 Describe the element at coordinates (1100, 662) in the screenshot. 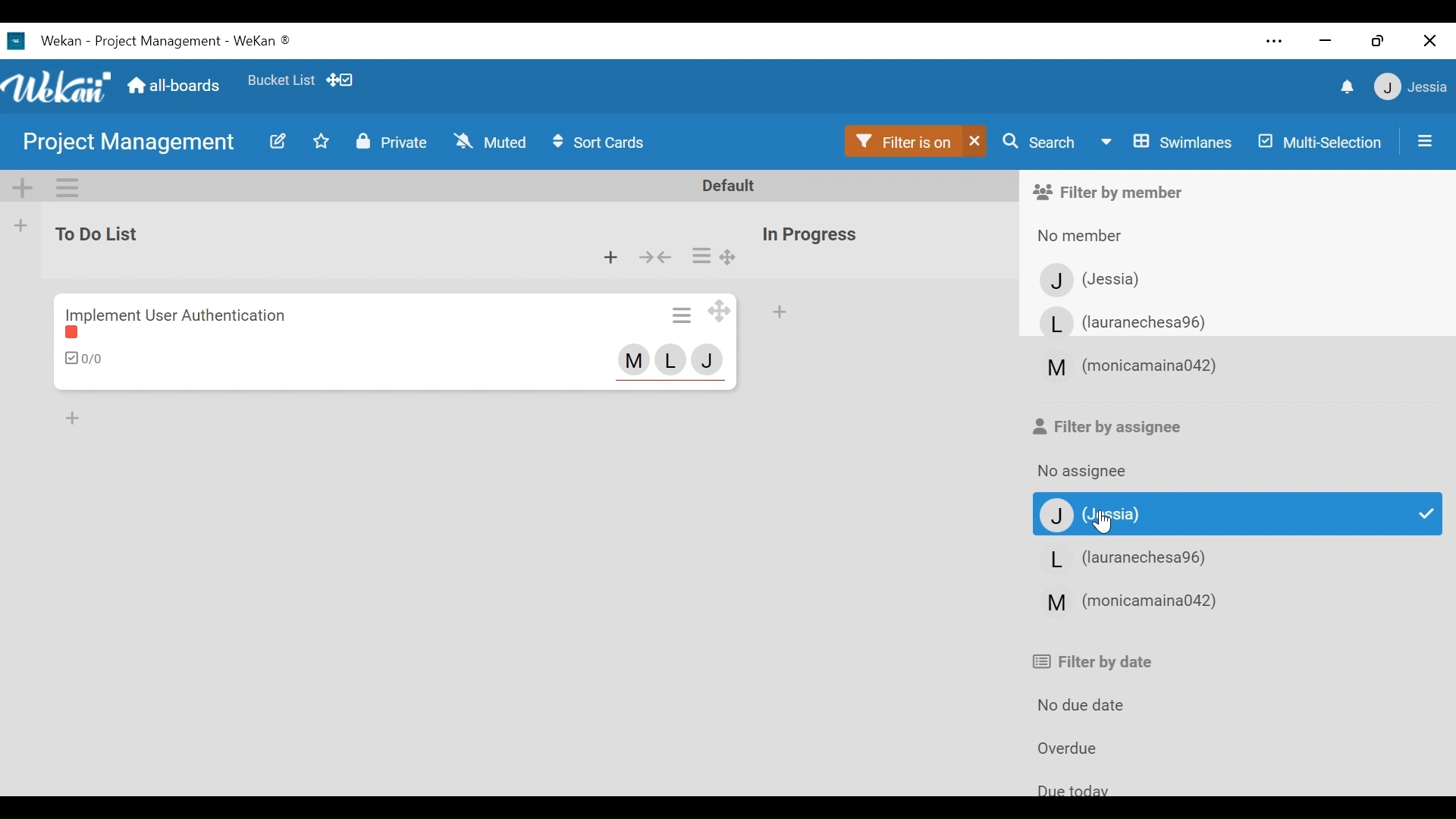

I see `Filter by date` at that location.